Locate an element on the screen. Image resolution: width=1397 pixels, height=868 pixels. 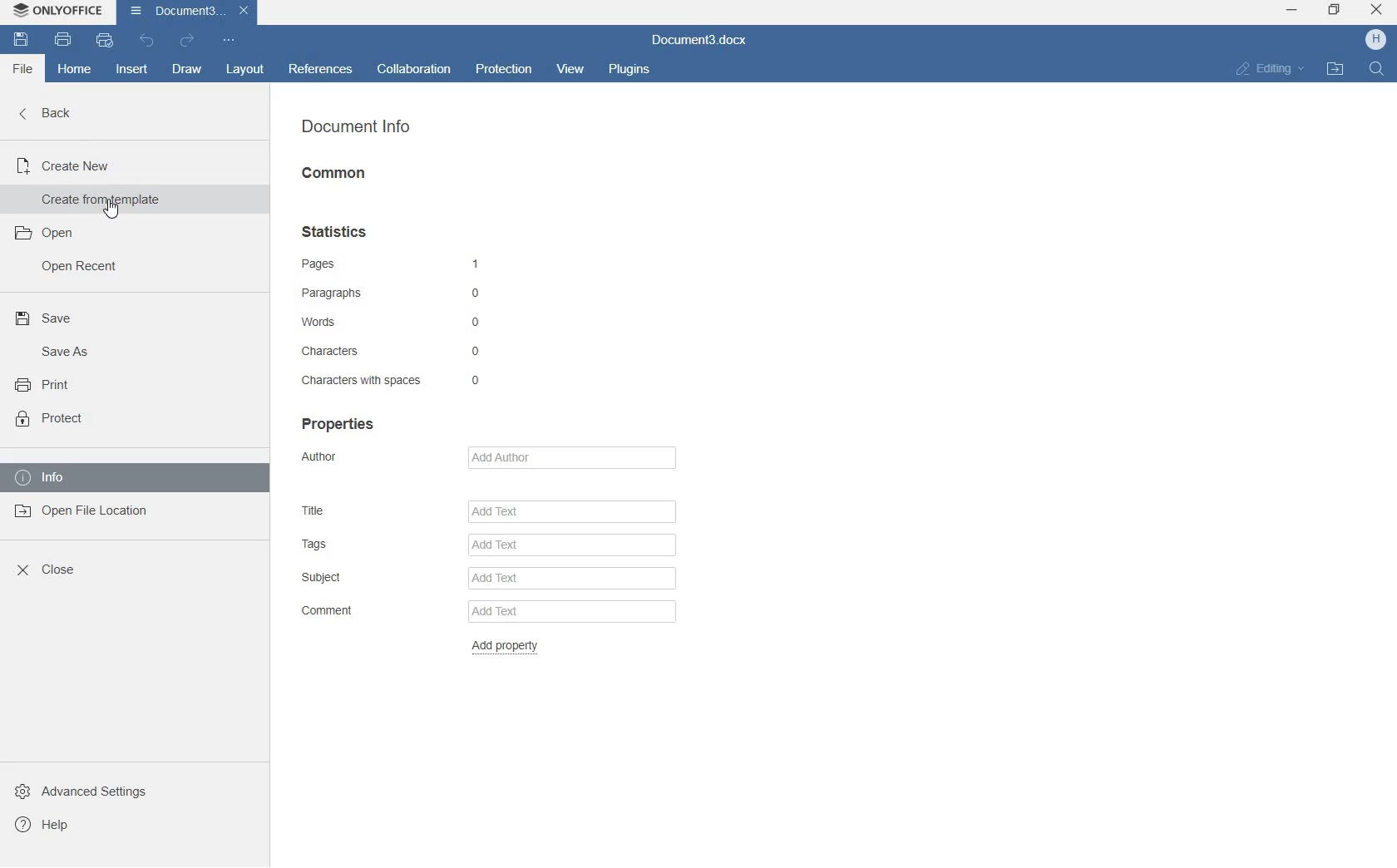
add text is located at coordinates (569, 545).